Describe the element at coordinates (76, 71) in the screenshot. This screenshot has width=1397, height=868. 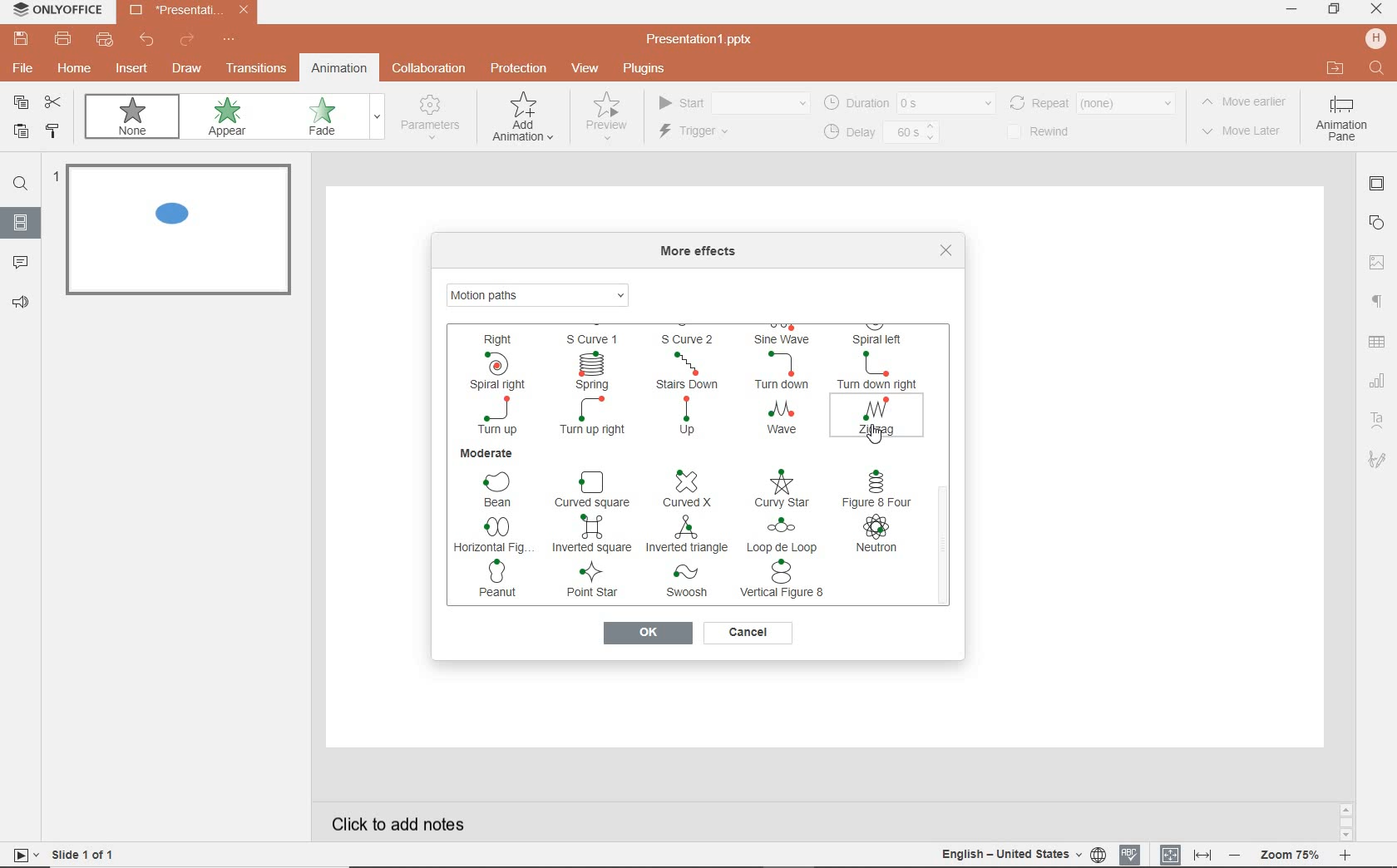
I see `home` at that location.